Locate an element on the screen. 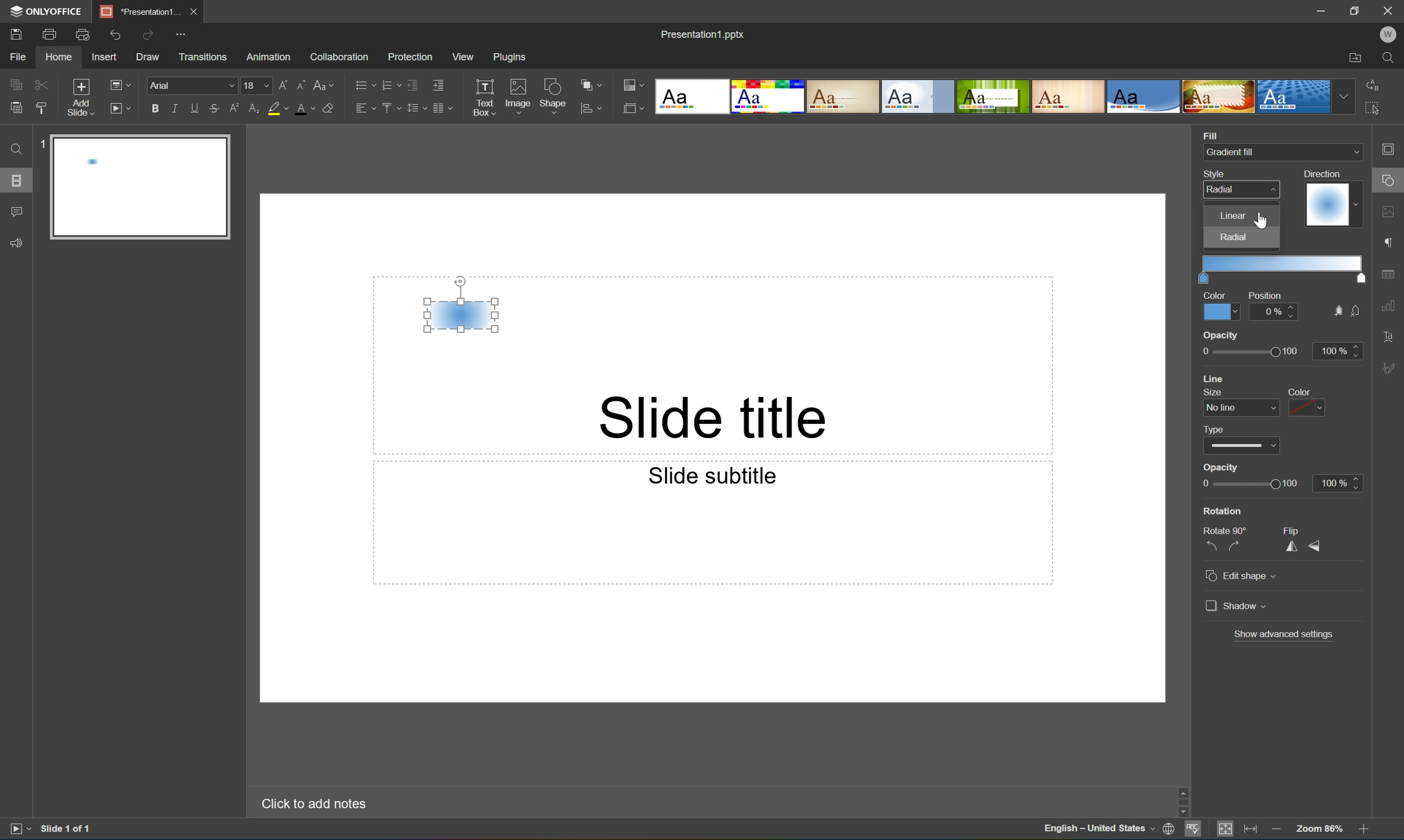 The image size is (1404, 840). Numbering is located at coordinates (389, 84).